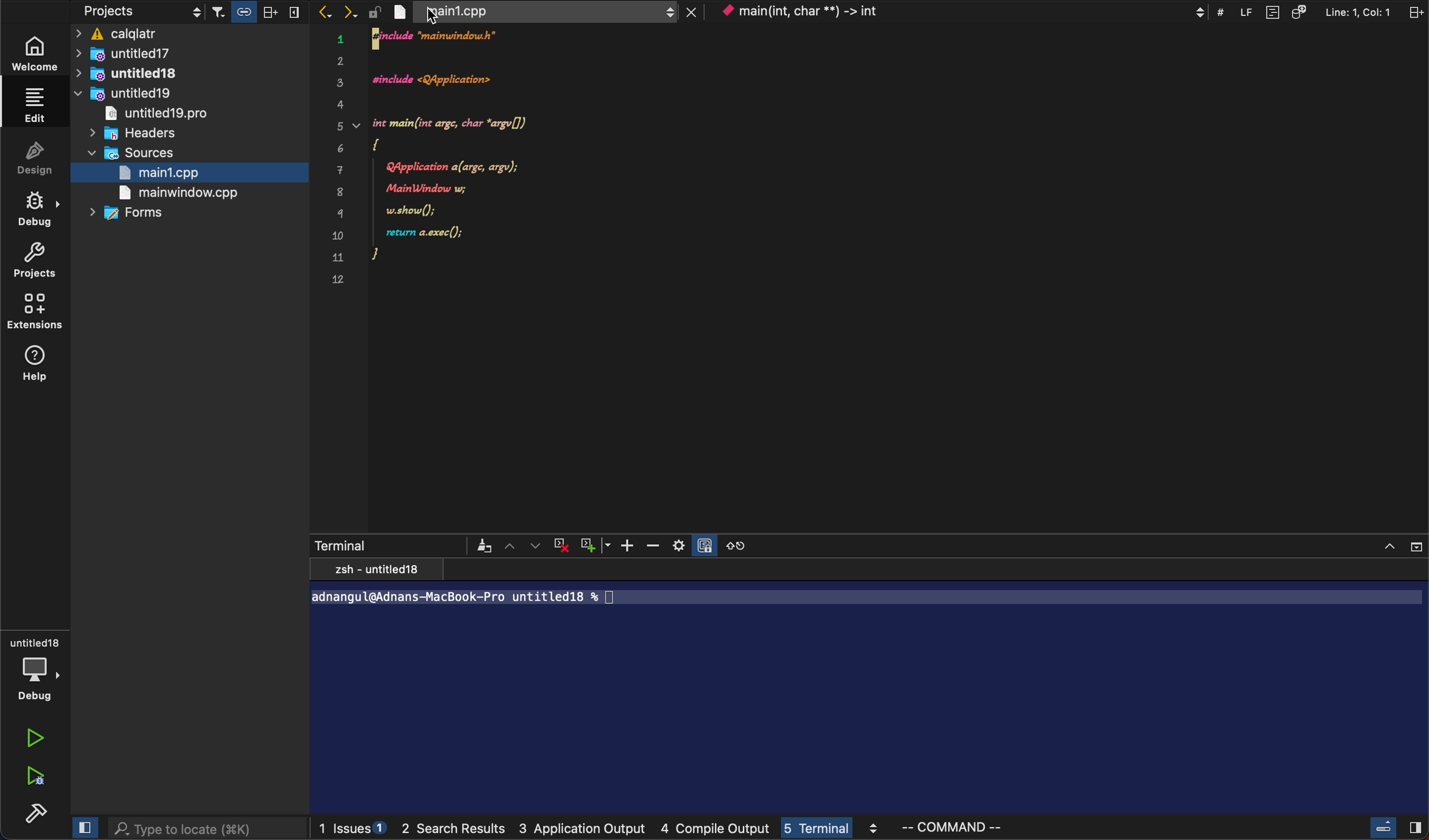 The image size is (1429, 840). Describe the element at coordinates (432, 14) in the screenshot. I see `cursor` at that location.